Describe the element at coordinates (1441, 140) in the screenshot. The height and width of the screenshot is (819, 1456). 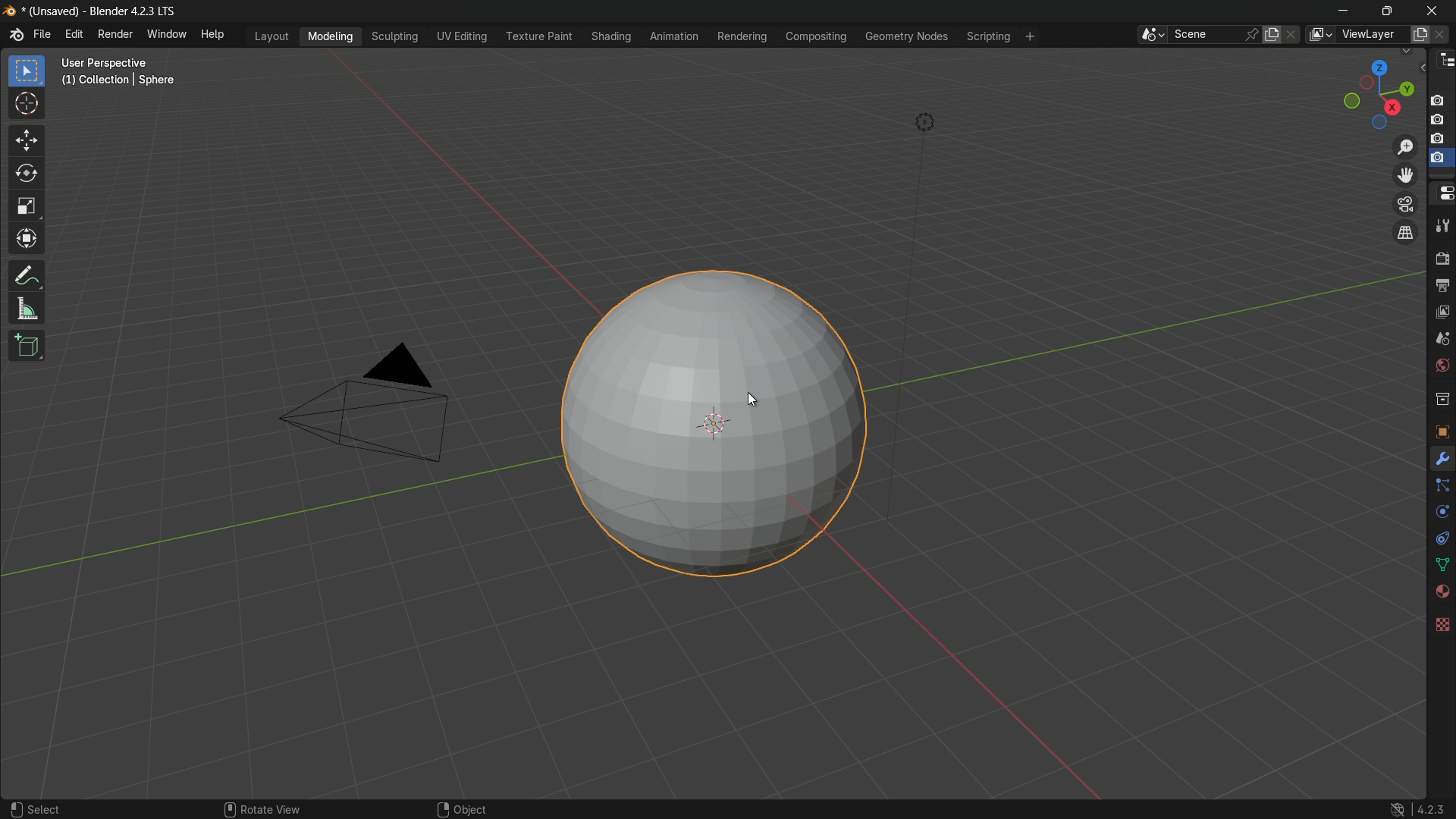
I see `capture` at that location.